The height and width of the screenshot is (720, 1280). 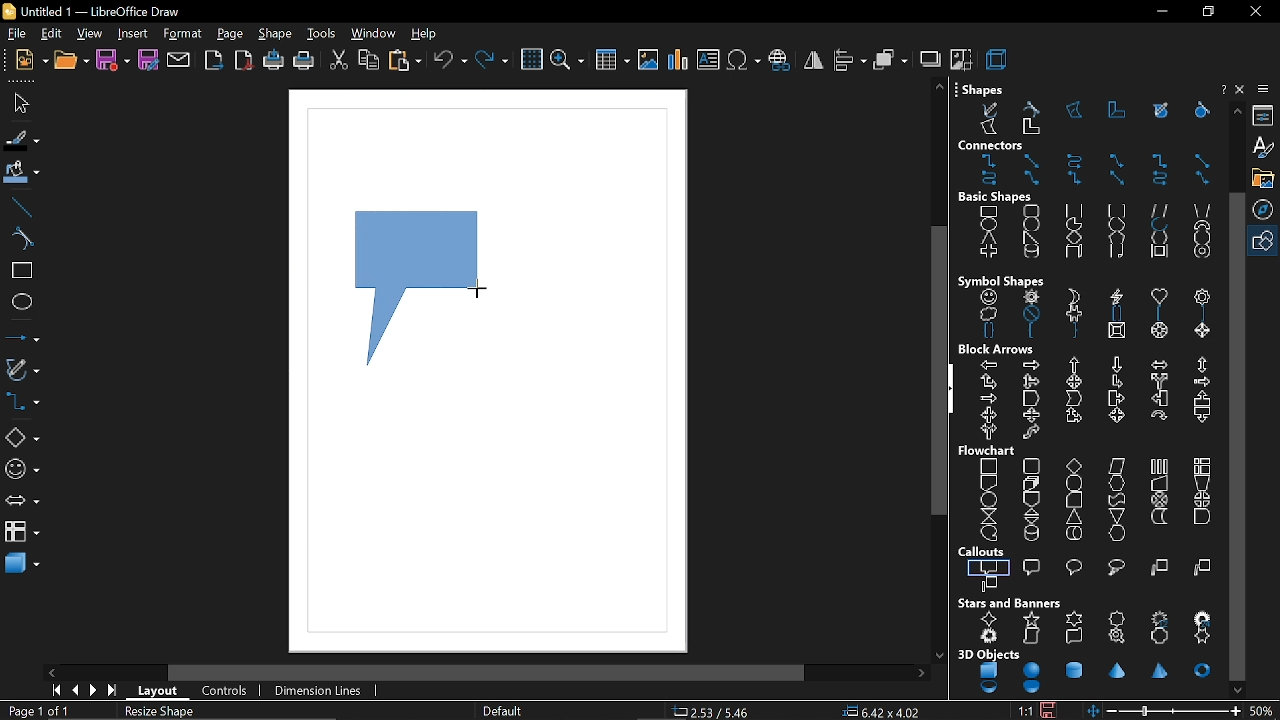 I want to click on sidebar settings, so click(x=1264, y=91).